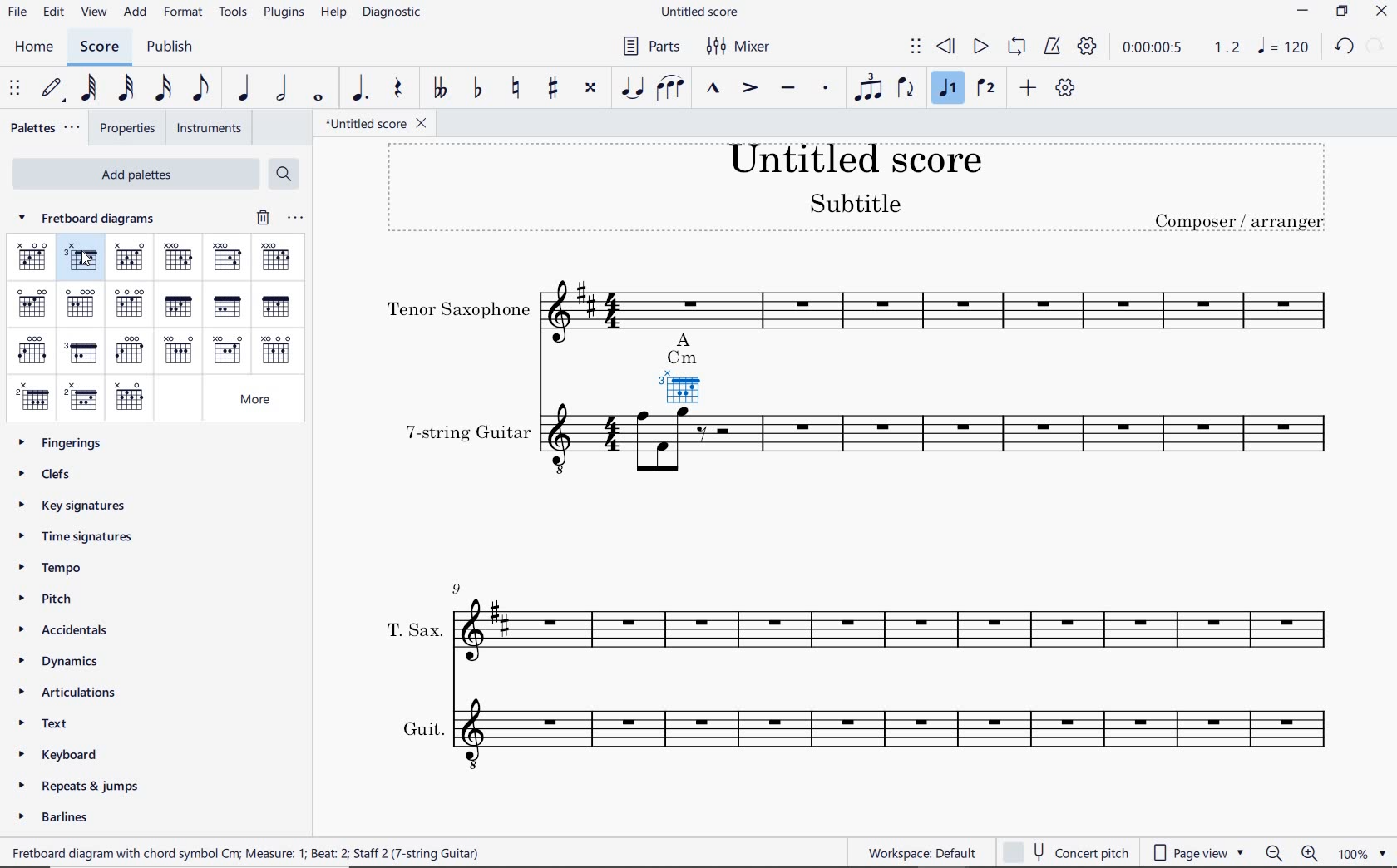 This screenshot has height=868, width=1397. I want to click on PLAYBACK SETTINGS, so click(1090, 47).